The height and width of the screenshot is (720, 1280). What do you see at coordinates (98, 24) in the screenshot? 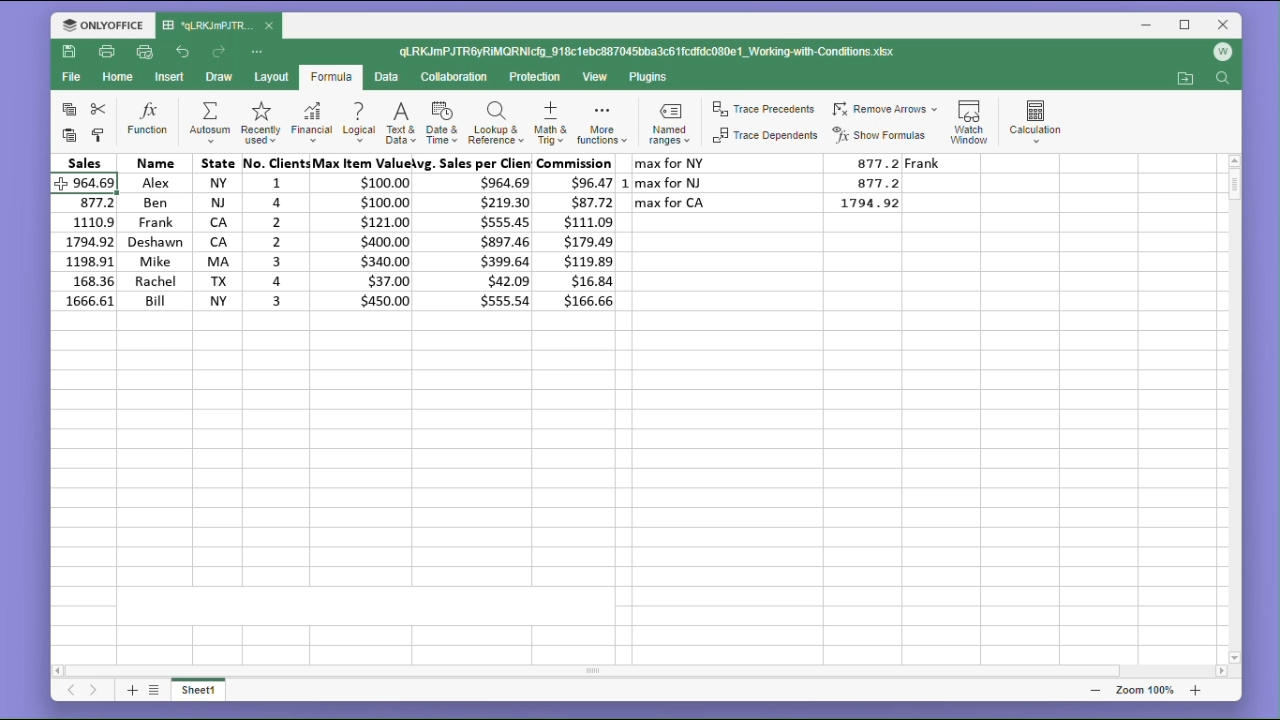
I see `onlyoffice` at bounding box center [98, 24].